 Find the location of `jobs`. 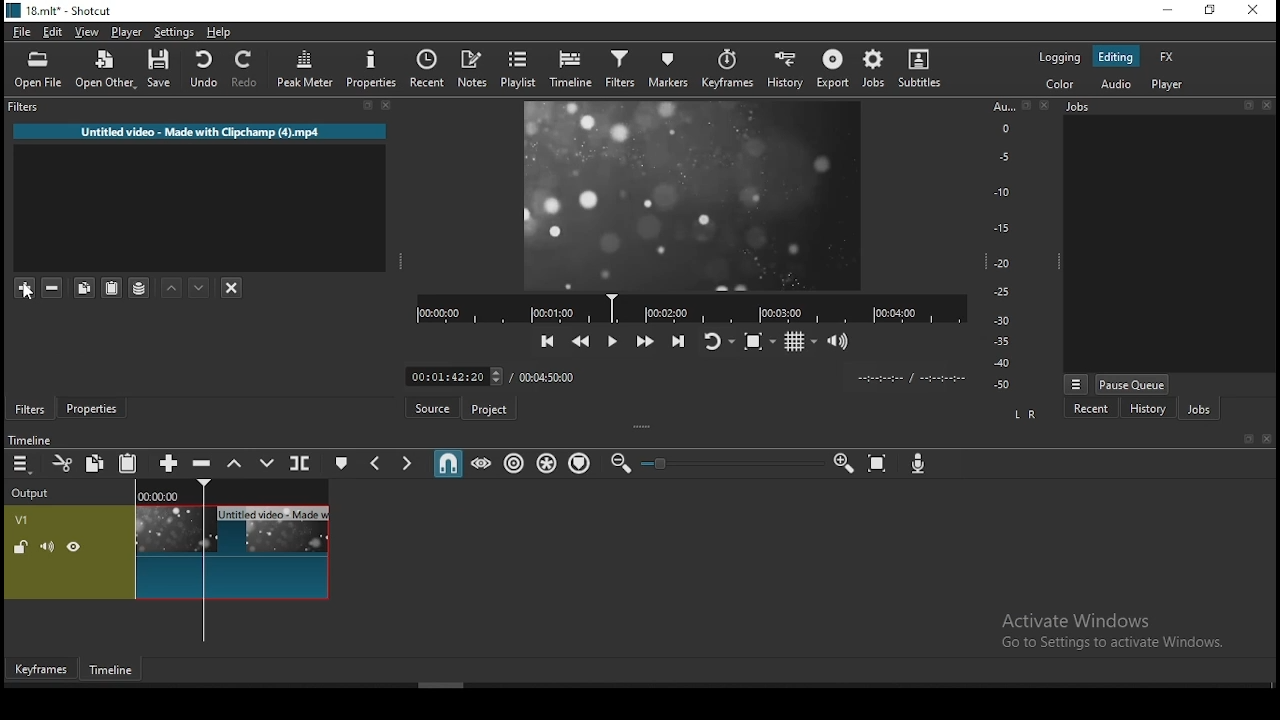

jobs is located at coordinates (874, 70).